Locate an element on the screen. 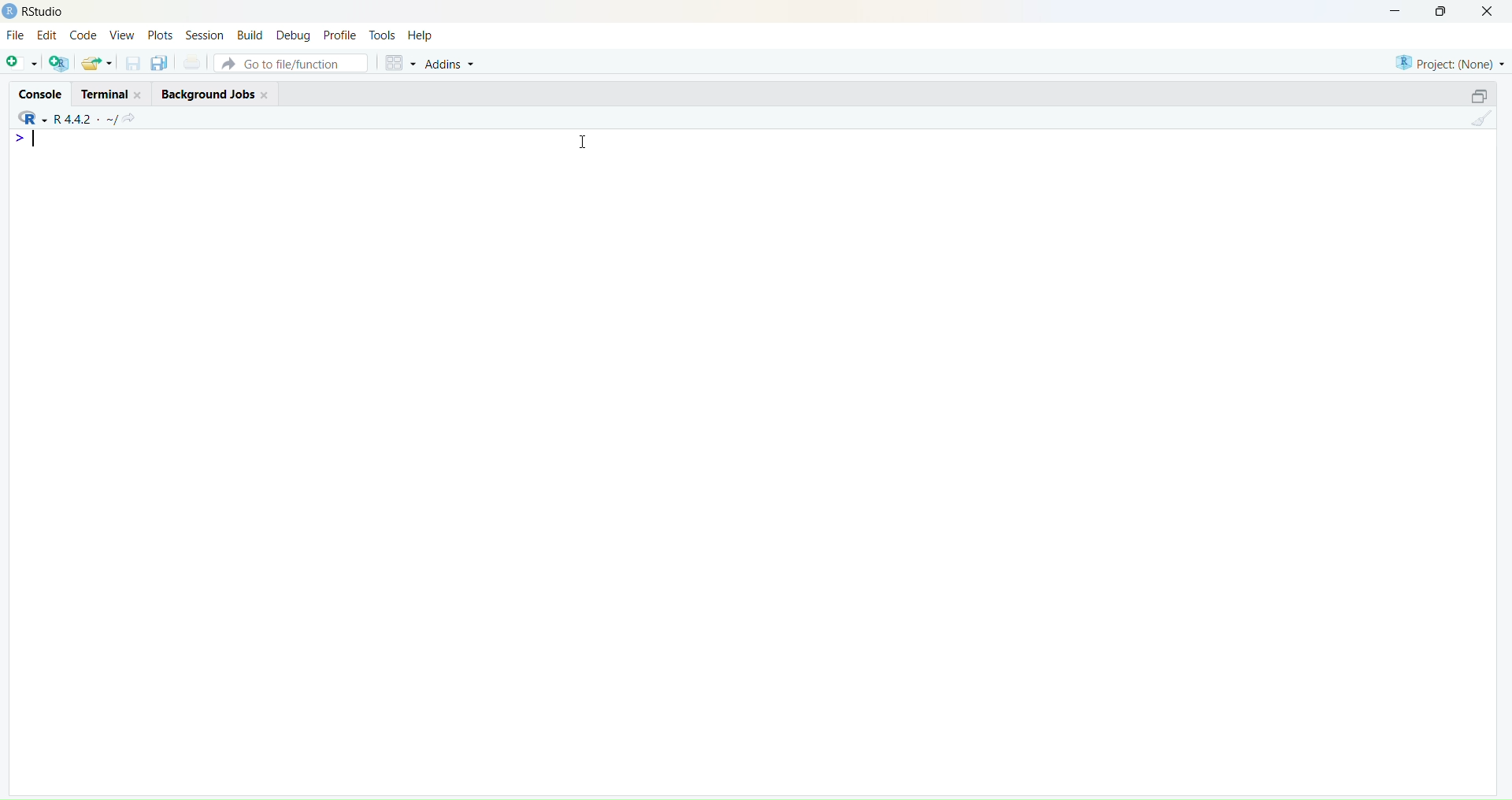 Image resolution: width=1512 pixels, height=800 pixels. add R file is located at coordinates (60, 63).